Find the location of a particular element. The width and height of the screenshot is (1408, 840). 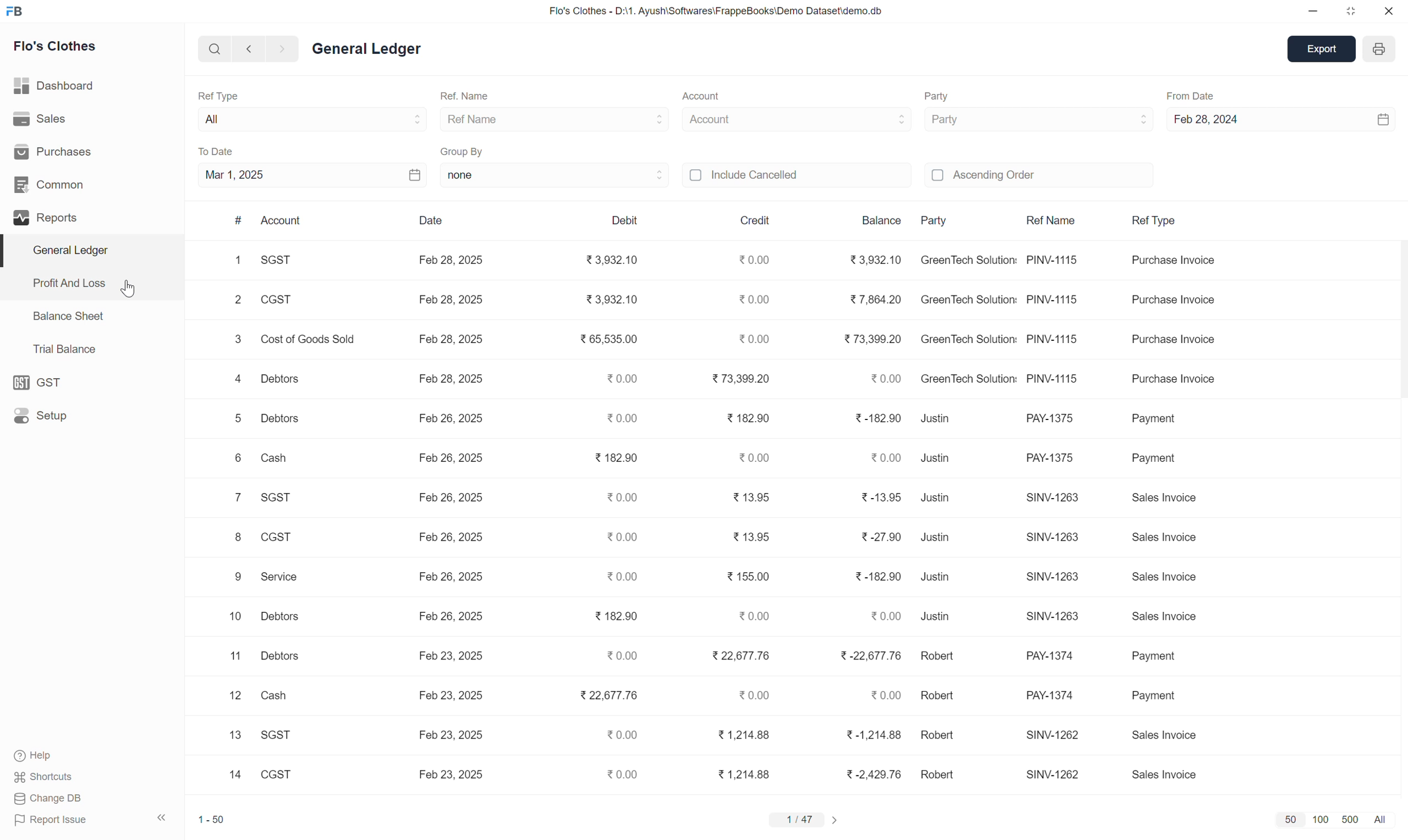

8 is located at coordinates (238, 539).